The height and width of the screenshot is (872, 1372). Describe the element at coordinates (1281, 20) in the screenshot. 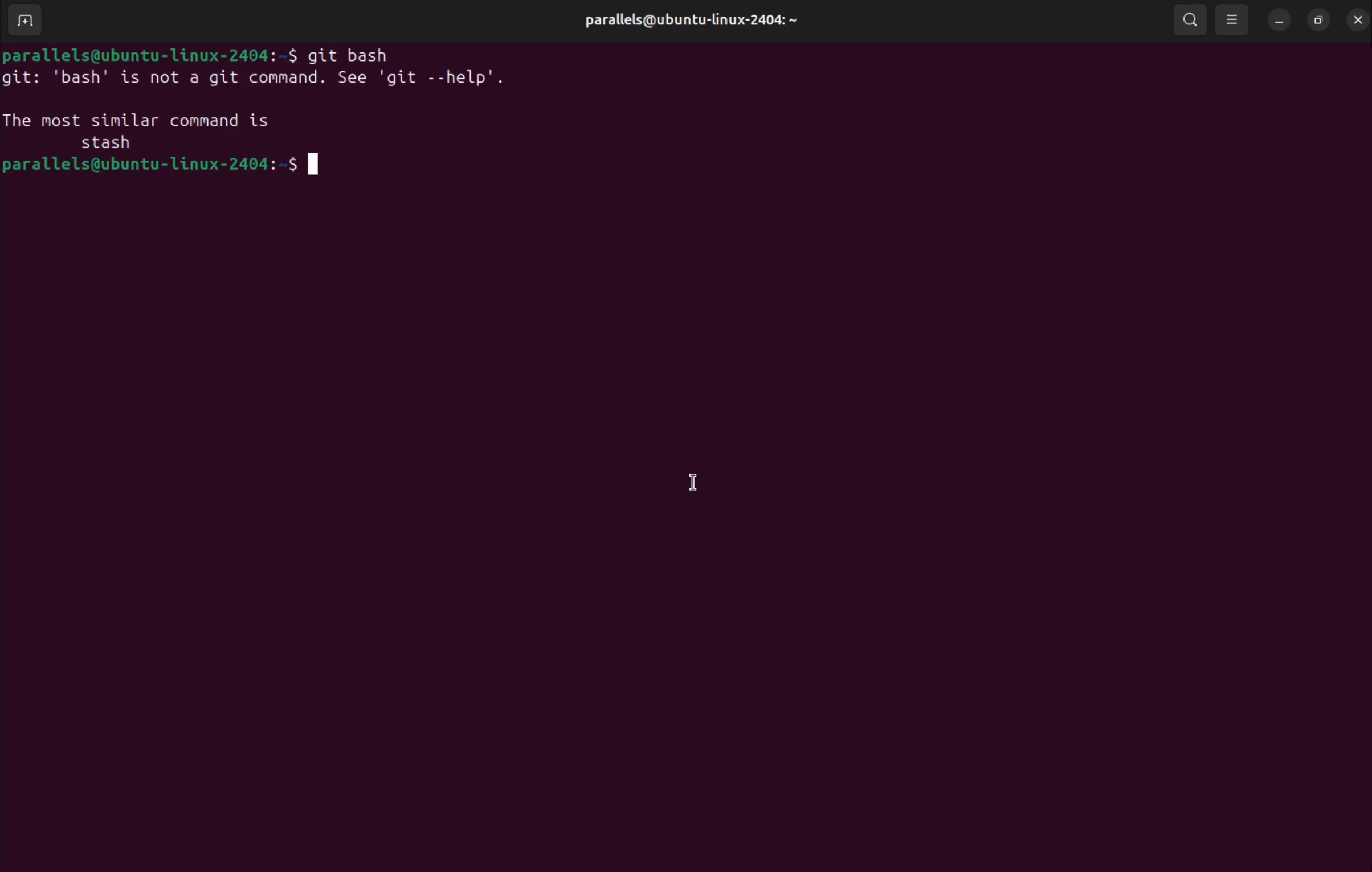

I see `minimize` at that location.